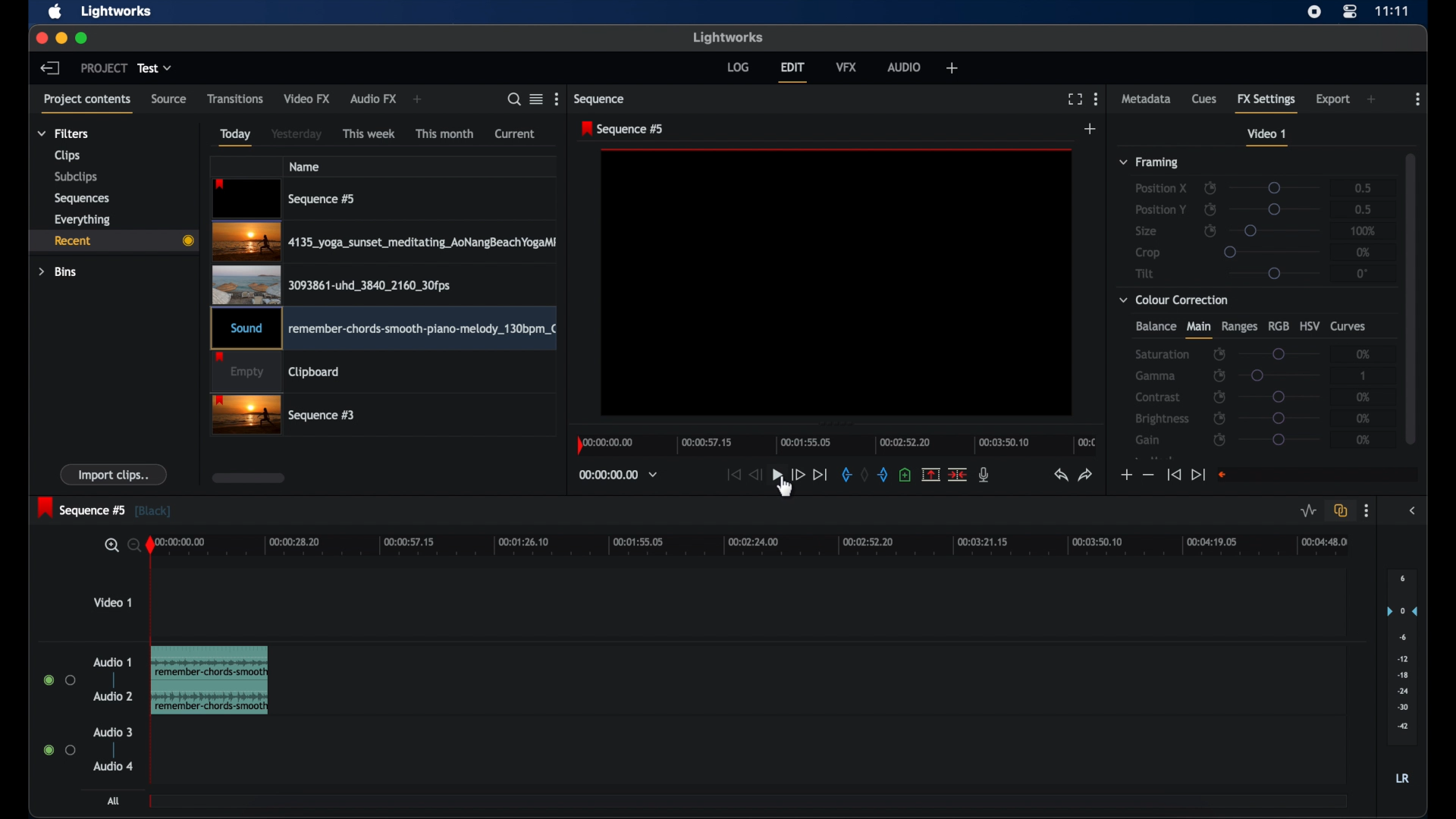  I want to click on 100%, so click(1363, 231).